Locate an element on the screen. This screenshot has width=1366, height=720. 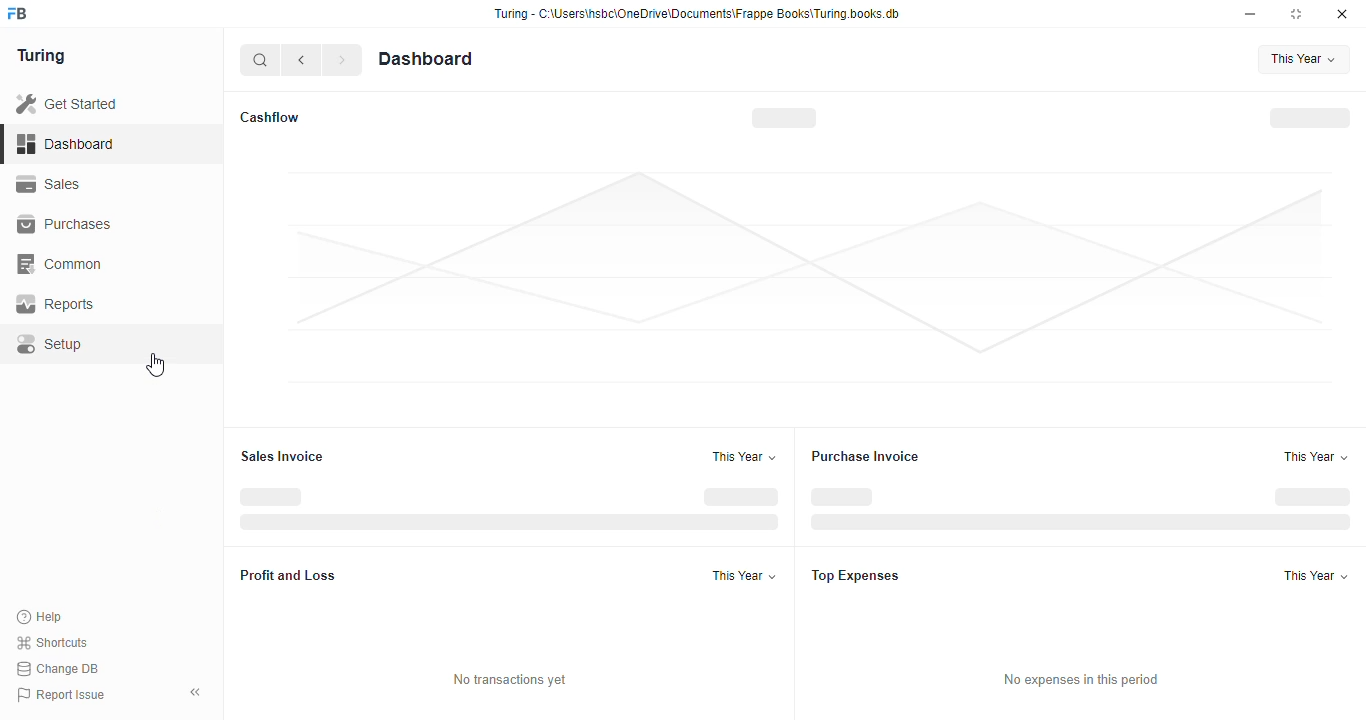
“Turing - C:\Users\hsbc\OneDrive\Documents\Frappe Books\Turing books.db is located at coordinates (696, 13).